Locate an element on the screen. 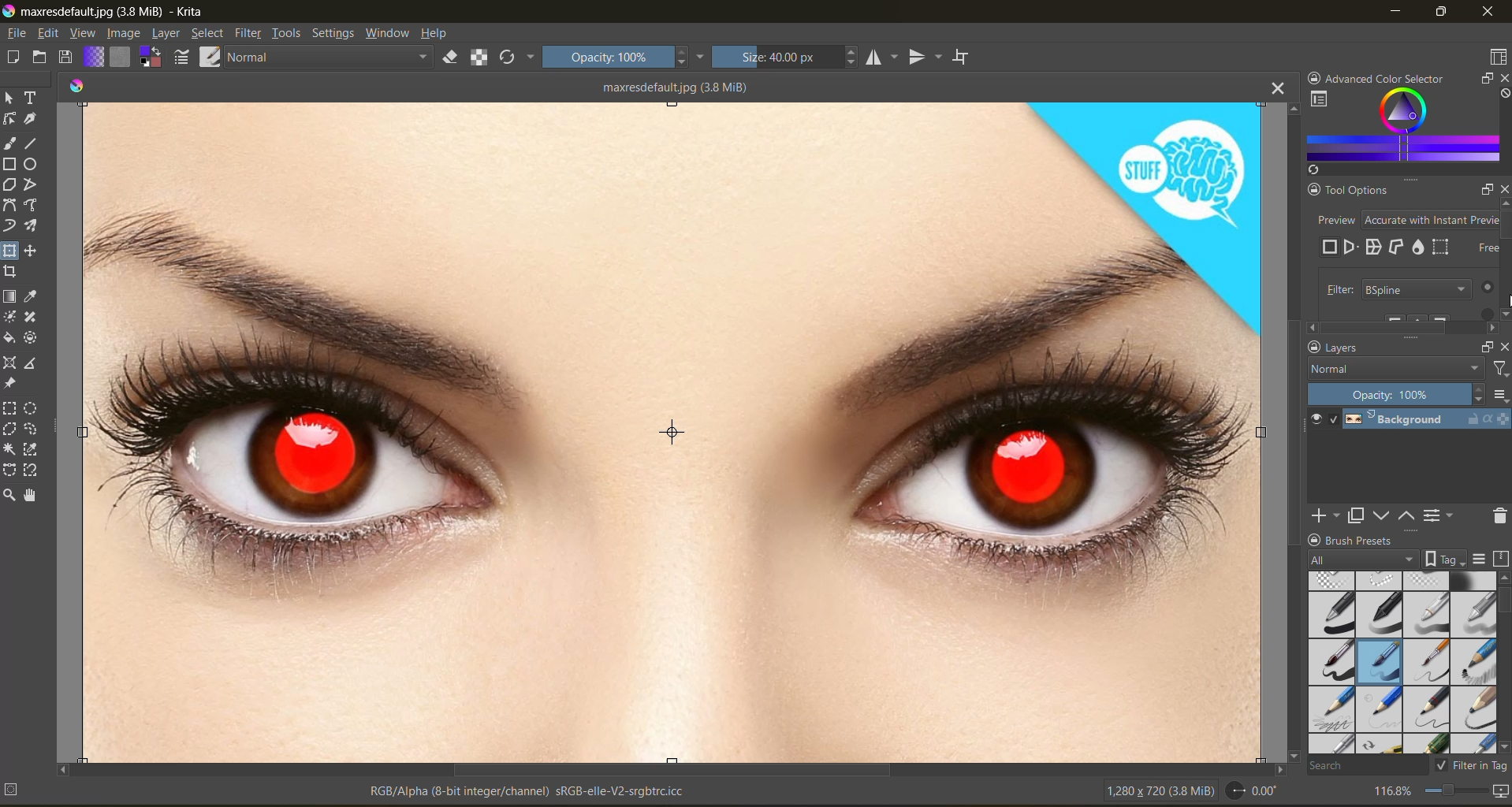 The width and height of the screenshot is (1512, 807). add is located at coordinates (1324, 516).